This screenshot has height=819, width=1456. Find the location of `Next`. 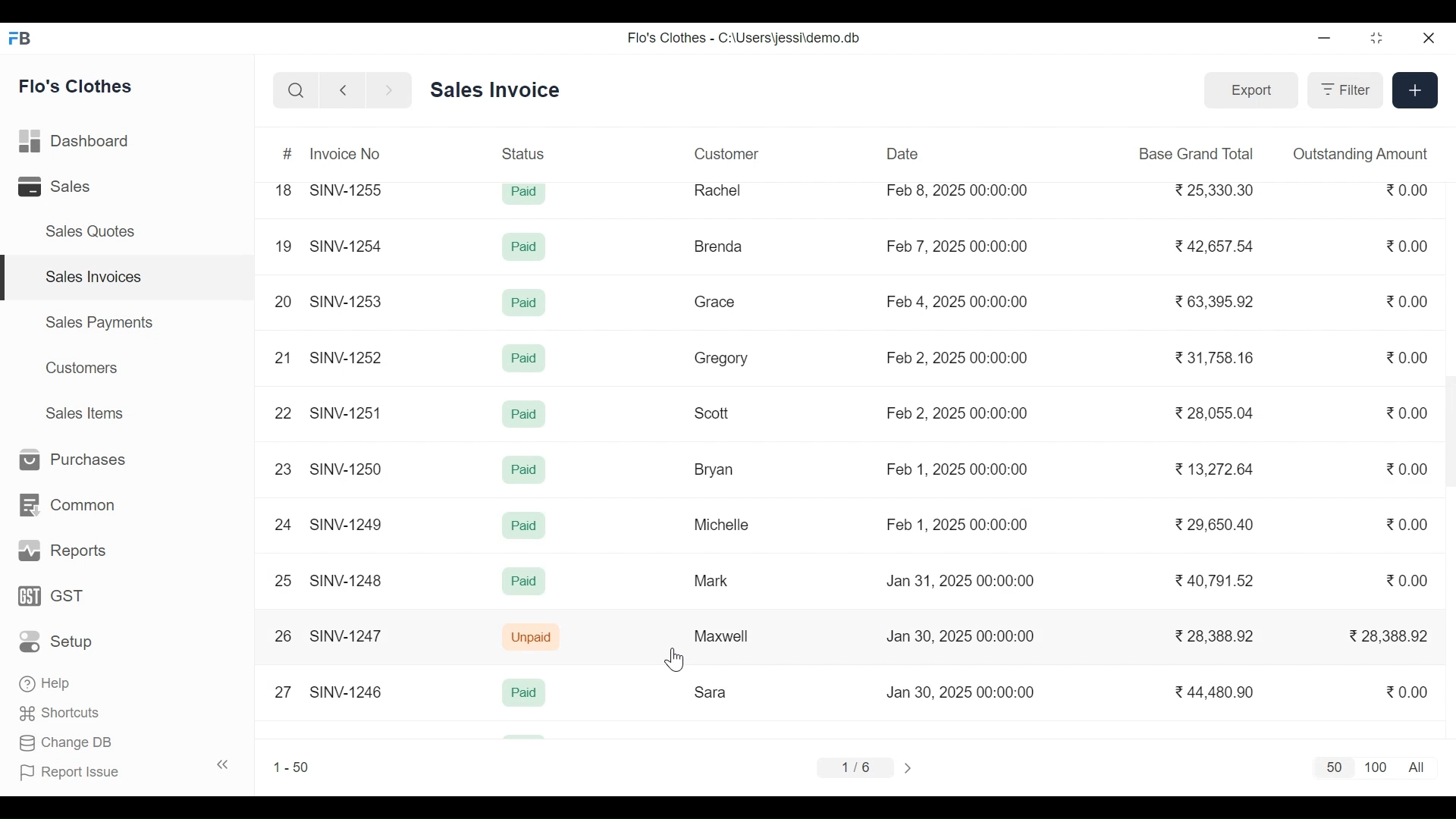

Next is located at coordinates (911, 767).